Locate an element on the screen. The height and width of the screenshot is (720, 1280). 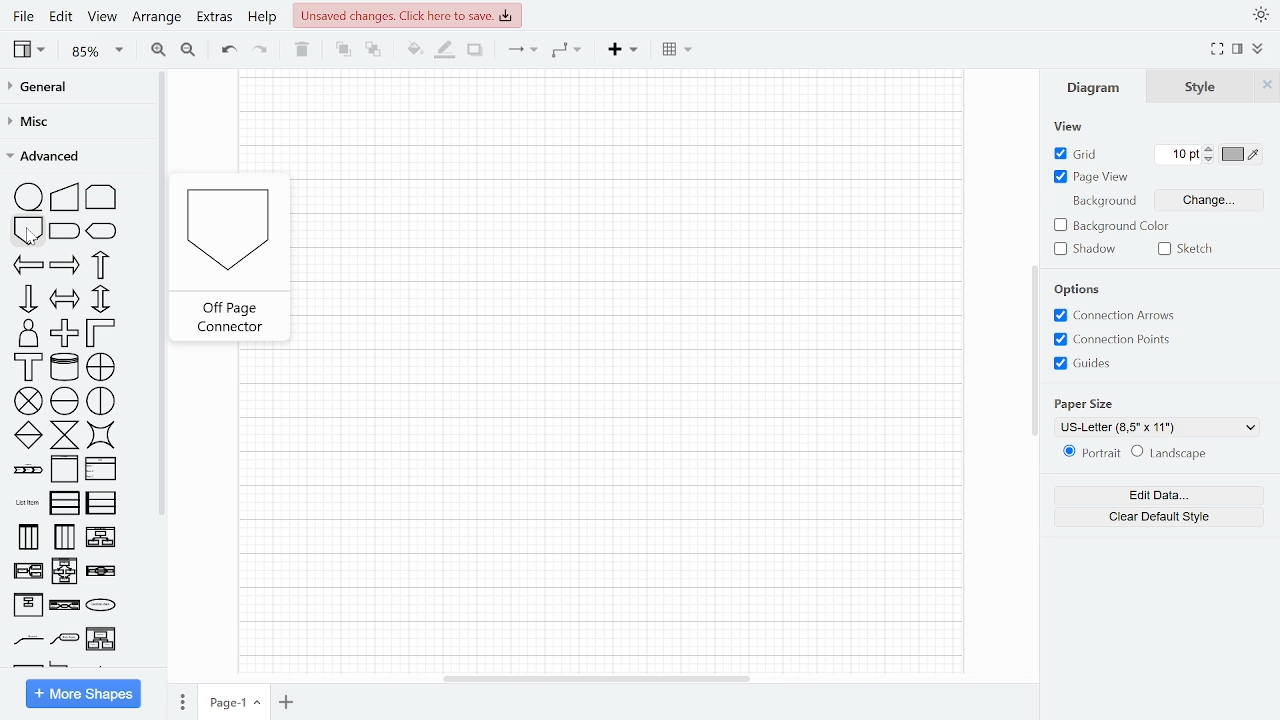
Edit data is located at coordinates (1162, 493).